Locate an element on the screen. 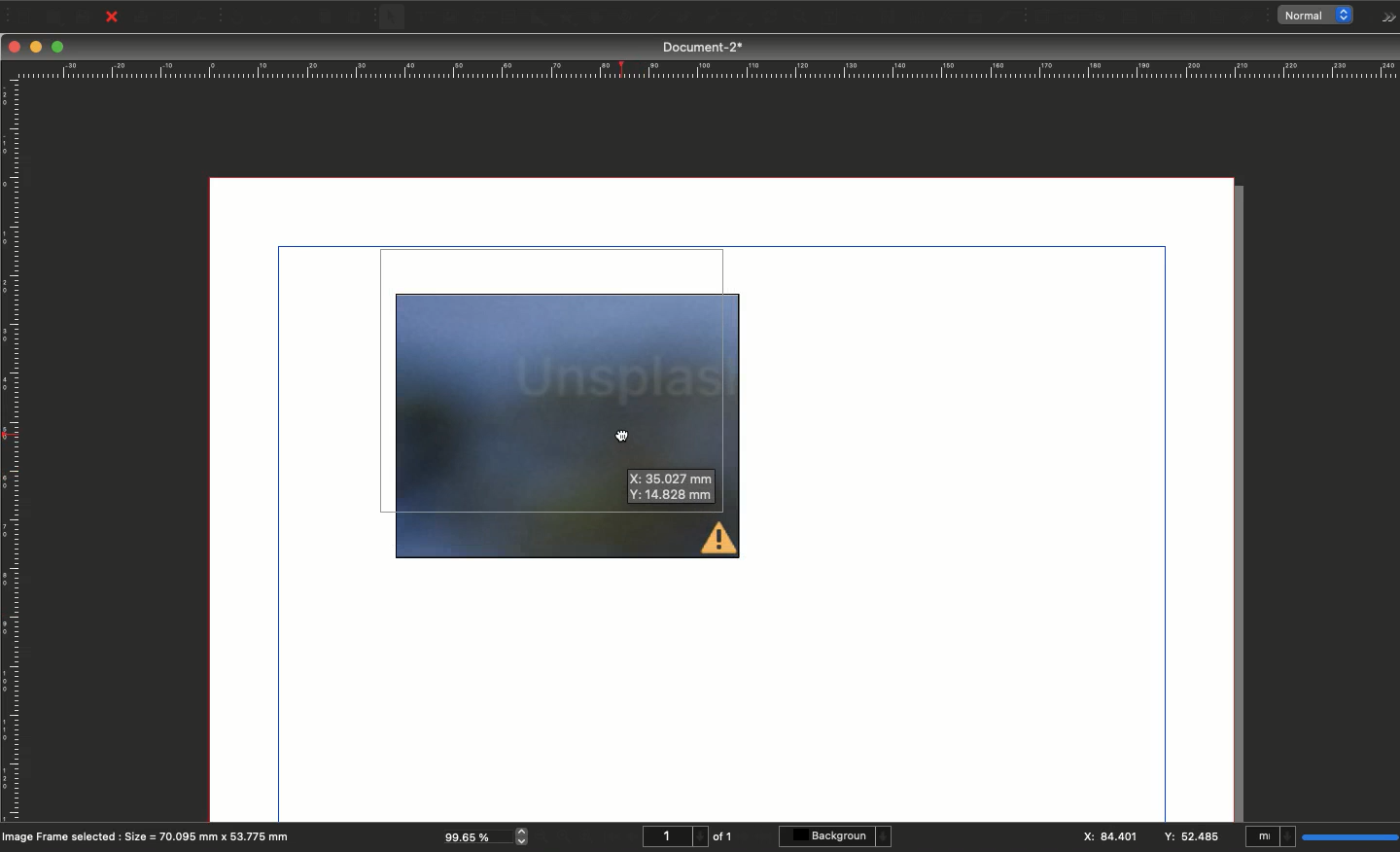 The width and height of the screenshot is (1400, 852). New is located at coordinates (21, 15).